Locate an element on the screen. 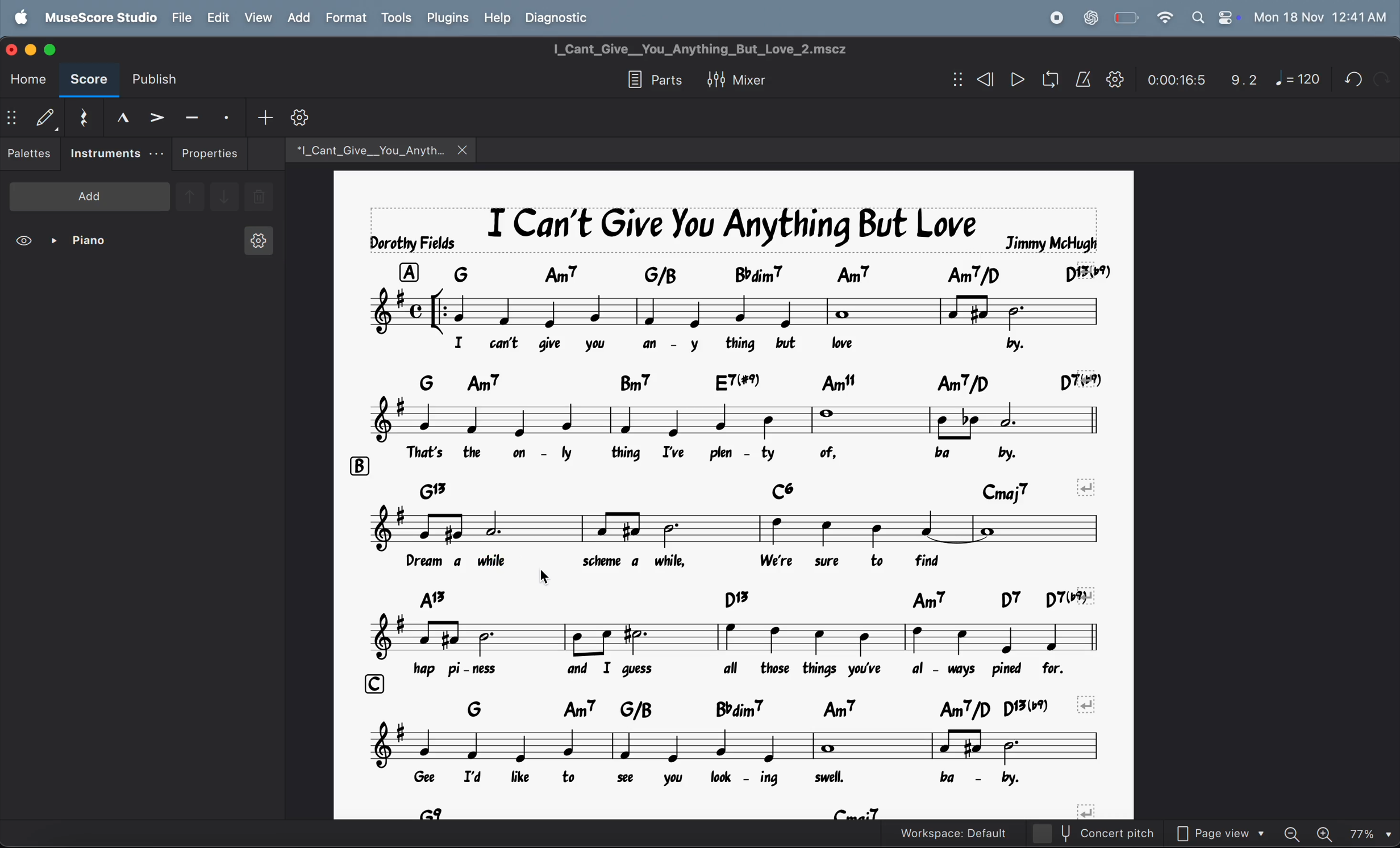 Image resolution: width=1400 pixels, height=848 pixels. stacatto is located at coordinates (226, 115).